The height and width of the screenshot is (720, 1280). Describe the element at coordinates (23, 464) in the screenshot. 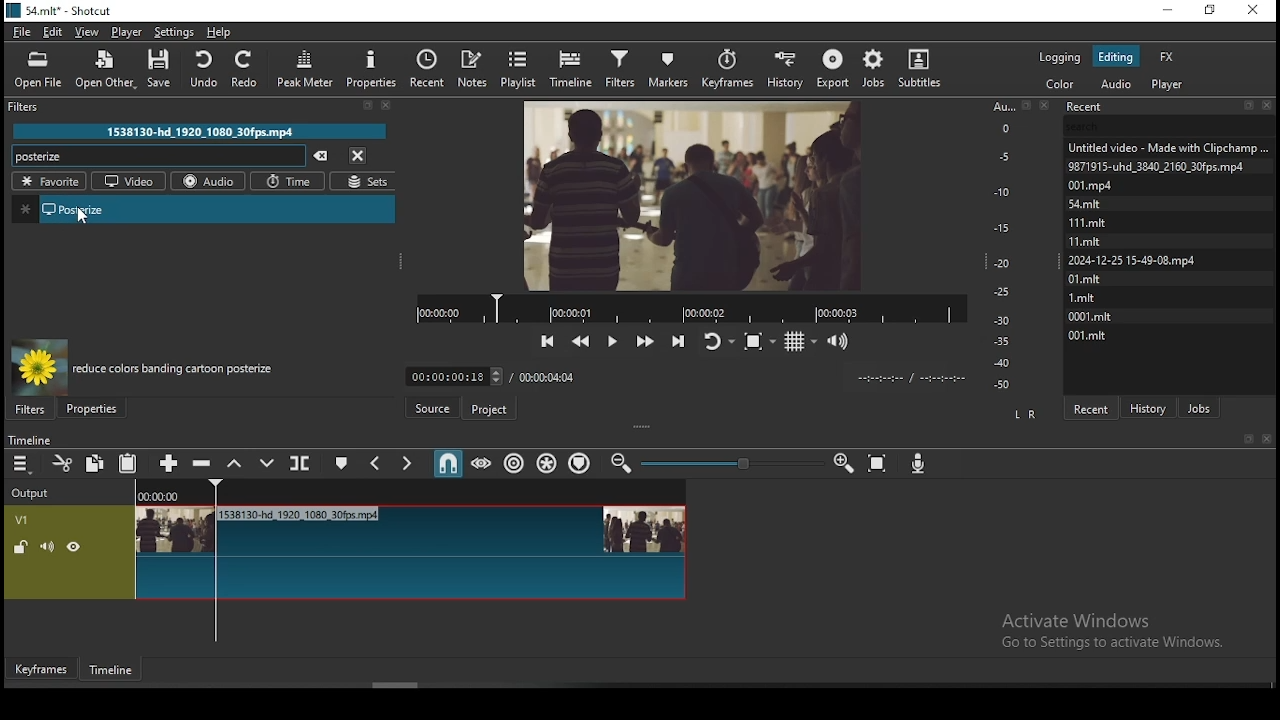

I see `timeline menu` at that location.